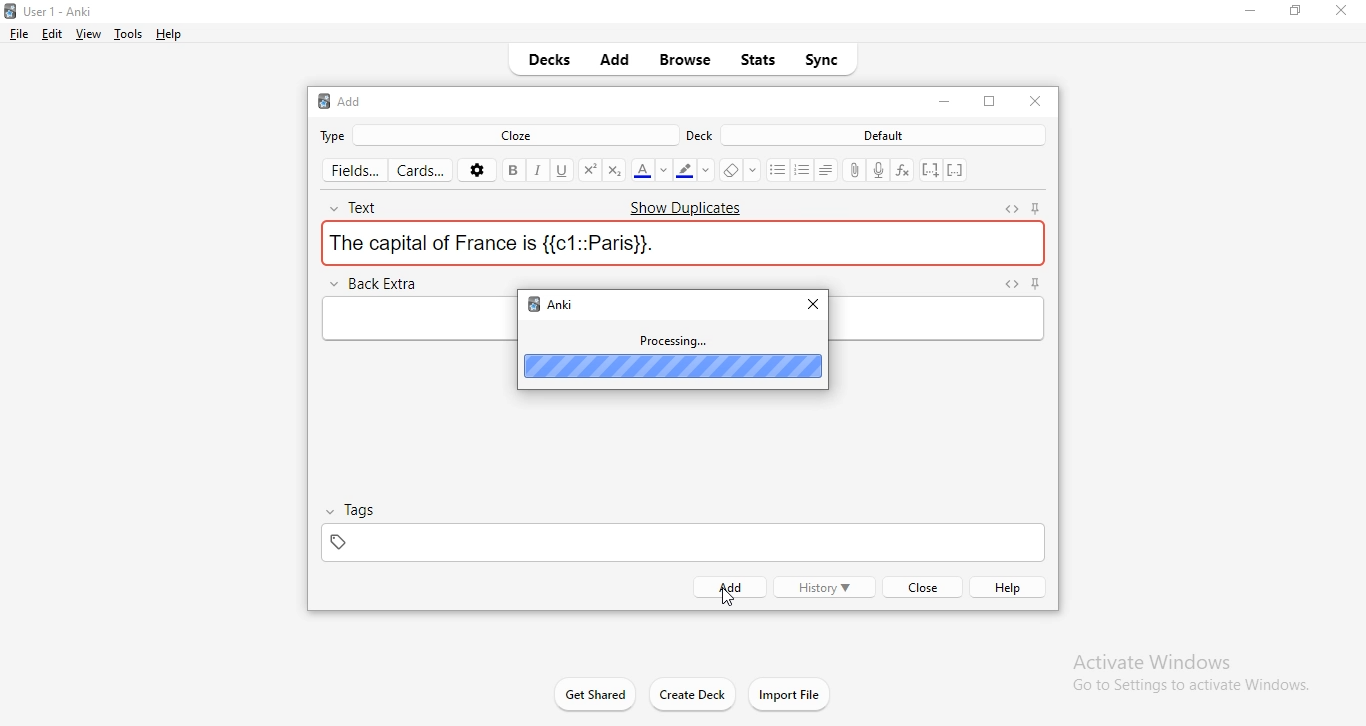  Describe the element at coordinates (920, 588) in the screenshot. I see `close` at that location.